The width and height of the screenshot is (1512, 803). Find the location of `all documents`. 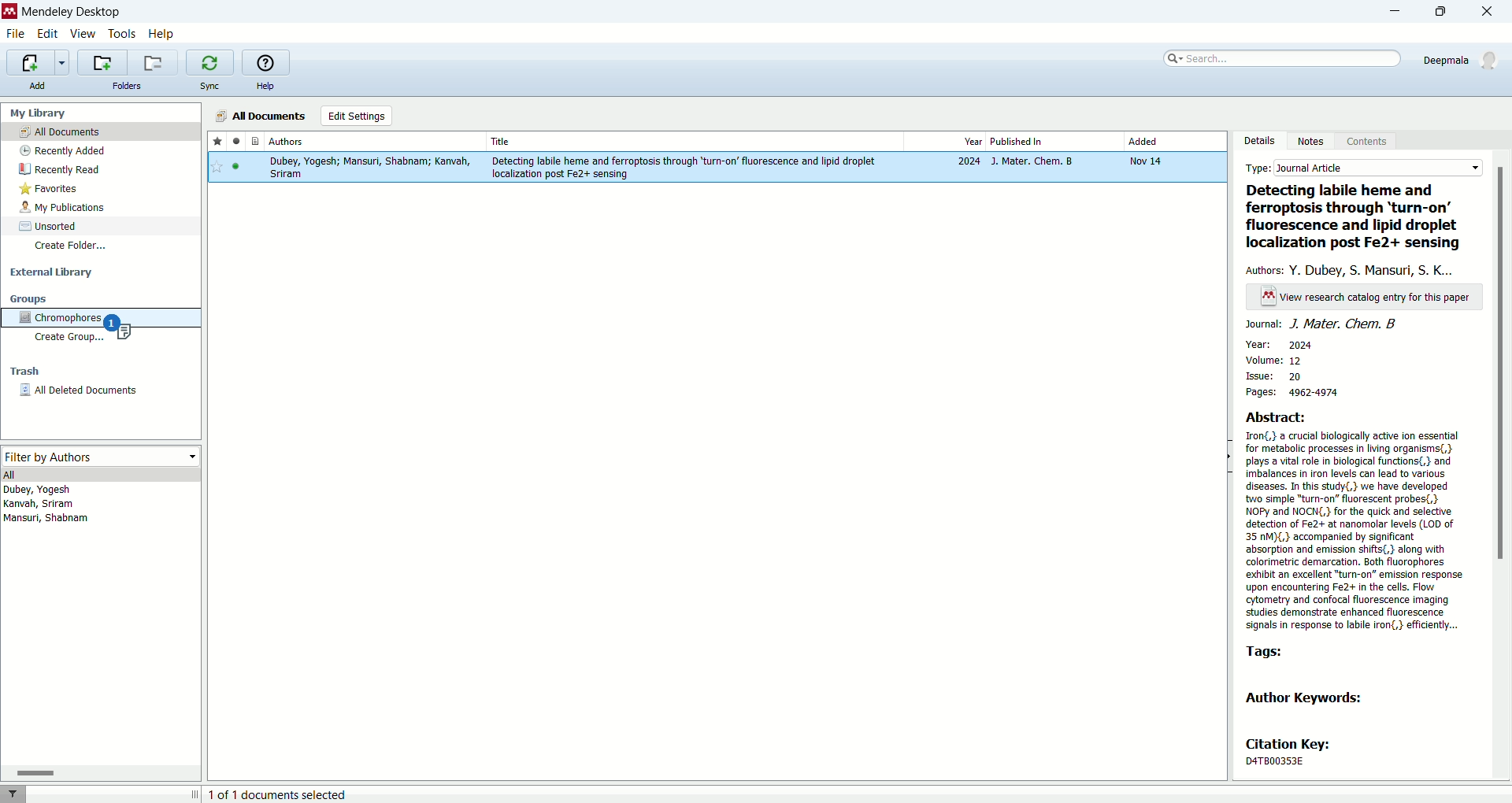

all documents is located at coordinates (261, 116).